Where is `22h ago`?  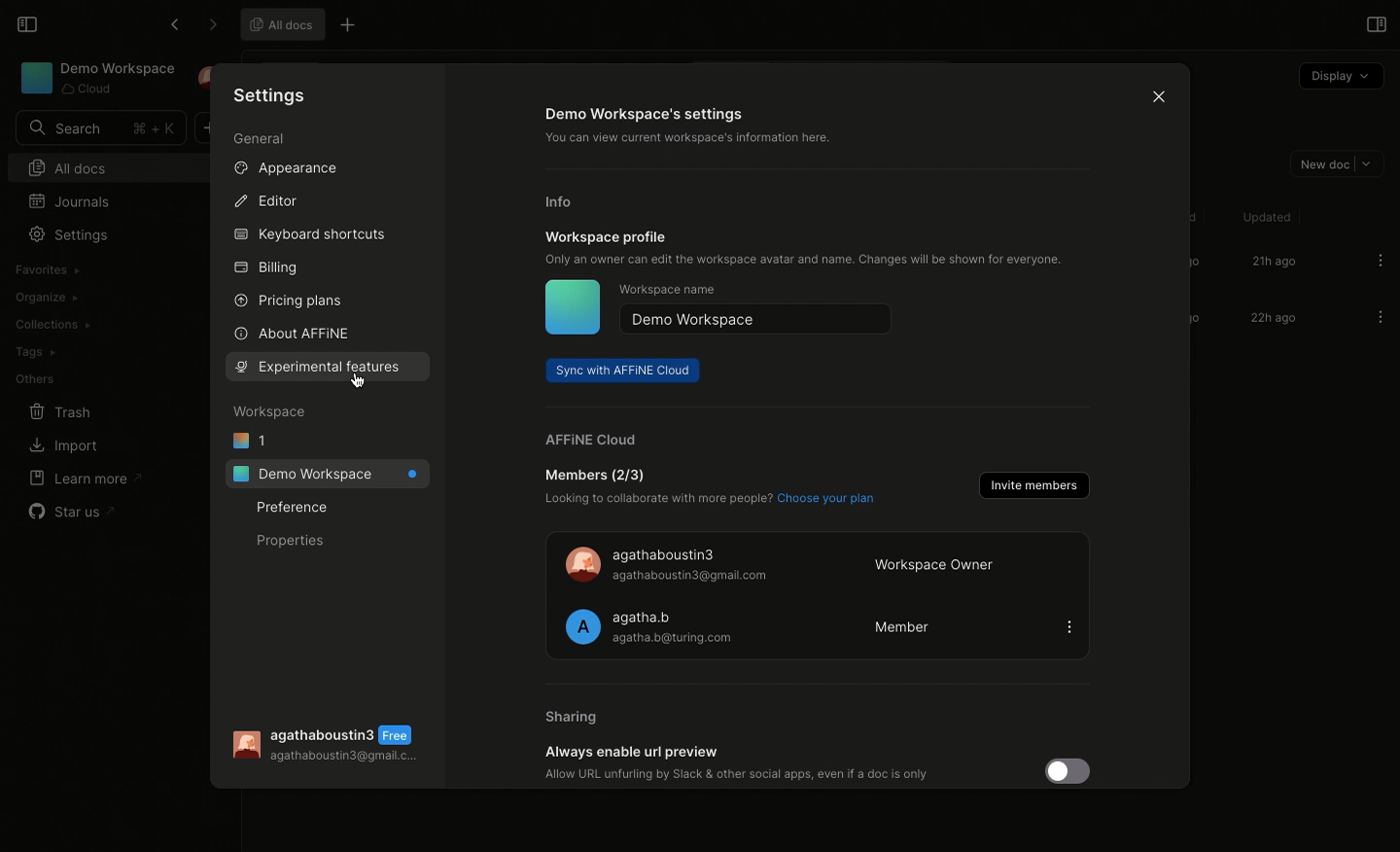
22h ago is located at coordinates (1271, 320).